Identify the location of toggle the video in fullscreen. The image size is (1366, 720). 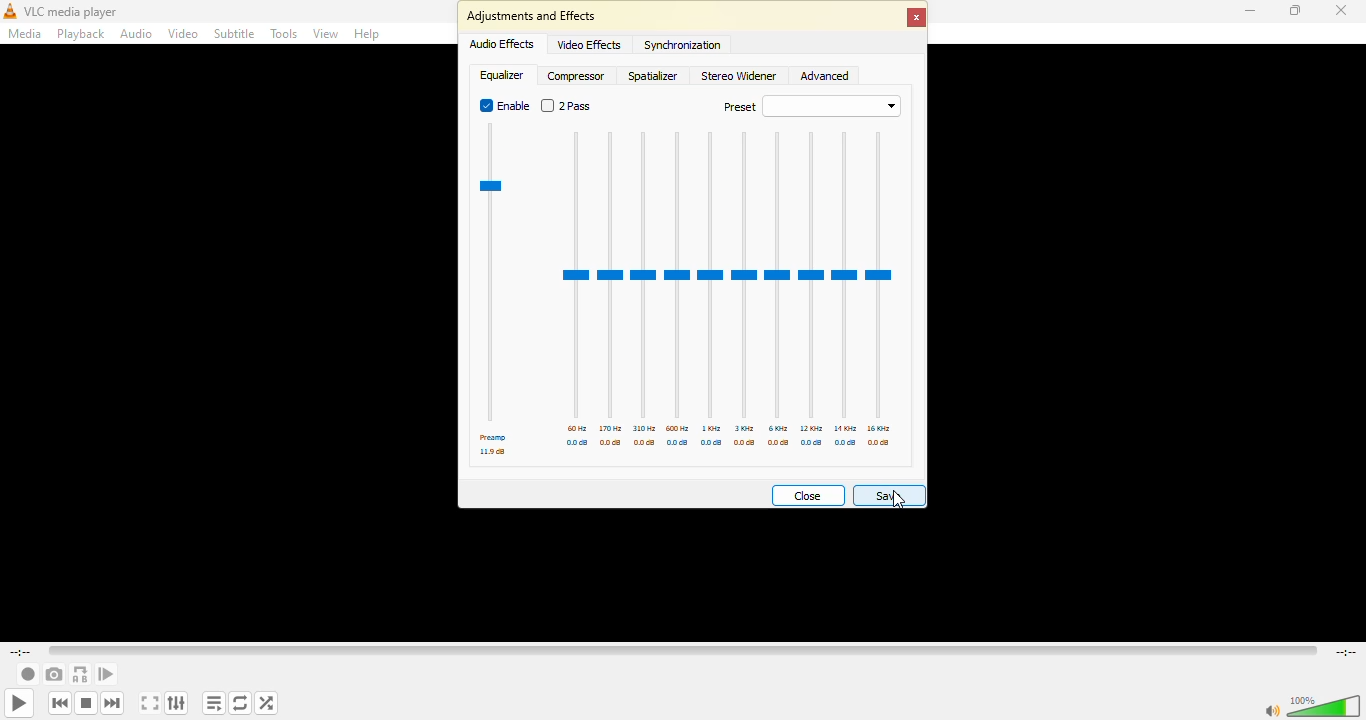
(149, 704).